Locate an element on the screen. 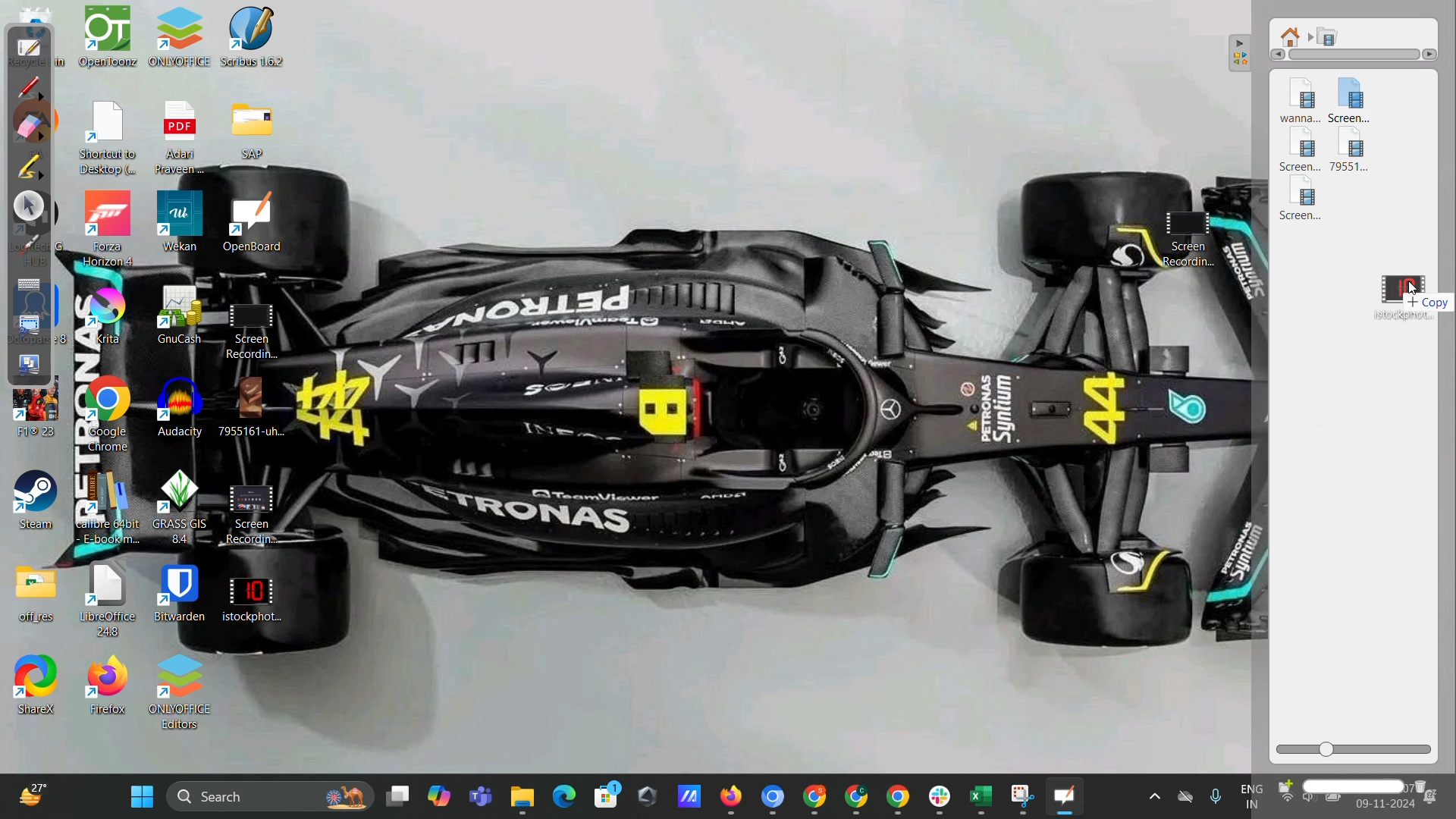 Image resolution: width=1456 pixels, height=819 pixels. highlight is located at coordinates (30, 167).